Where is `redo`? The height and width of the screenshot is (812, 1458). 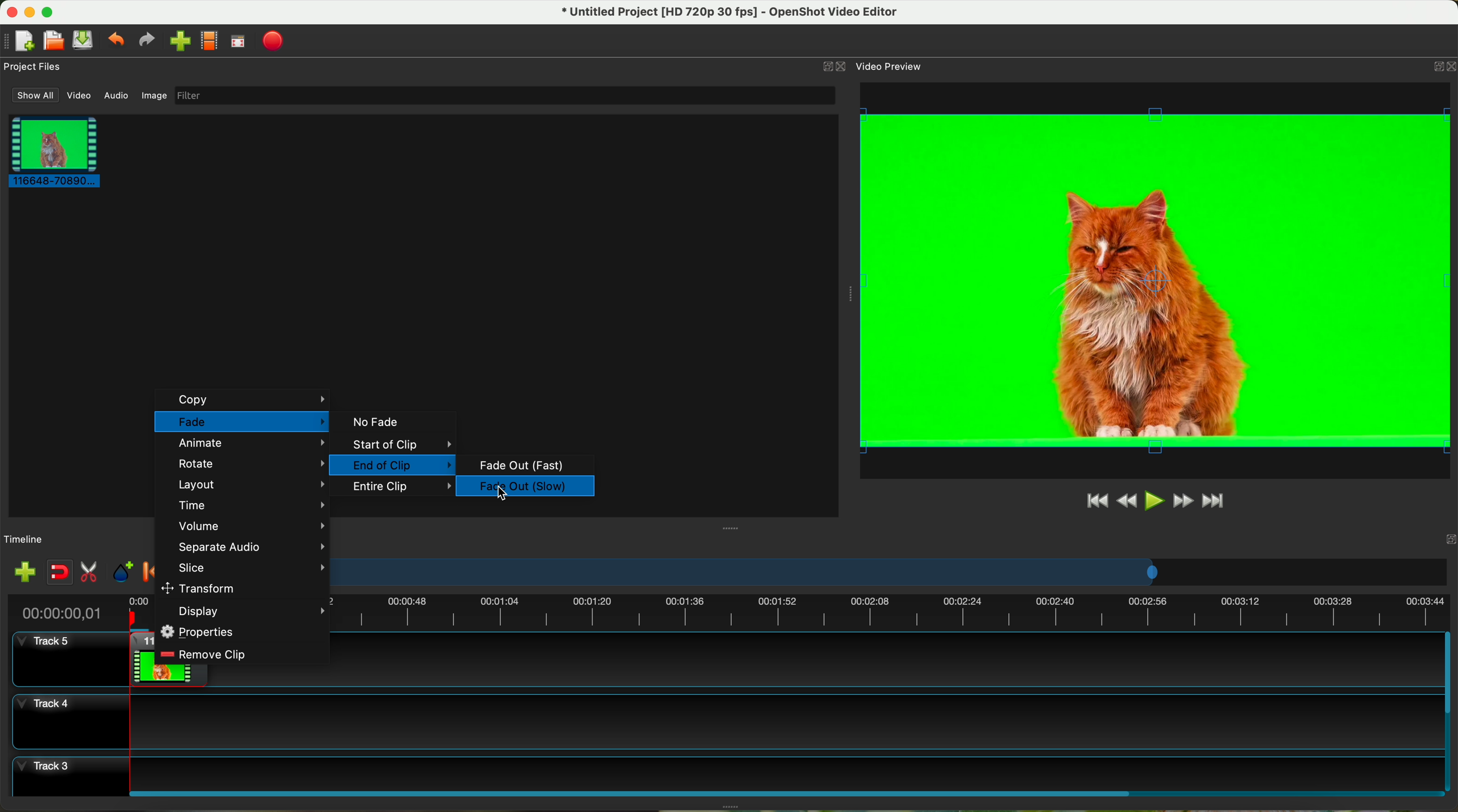
redo is located at coordinates (146, 40).